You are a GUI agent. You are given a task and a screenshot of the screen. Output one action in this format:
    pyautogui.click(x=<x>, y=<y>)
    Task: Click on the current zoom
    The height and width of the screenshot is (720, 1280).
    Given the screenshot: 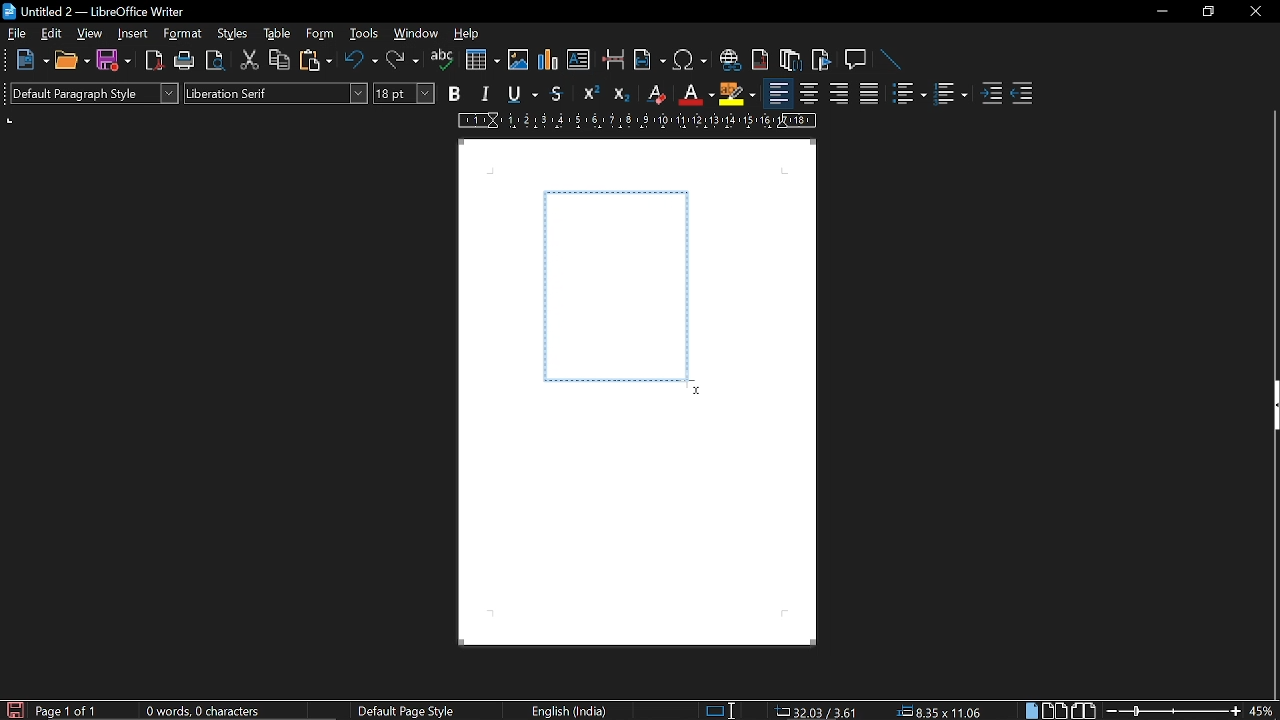 What is the action you would take?
    pyautogui.click(x=1262, y=711)
    